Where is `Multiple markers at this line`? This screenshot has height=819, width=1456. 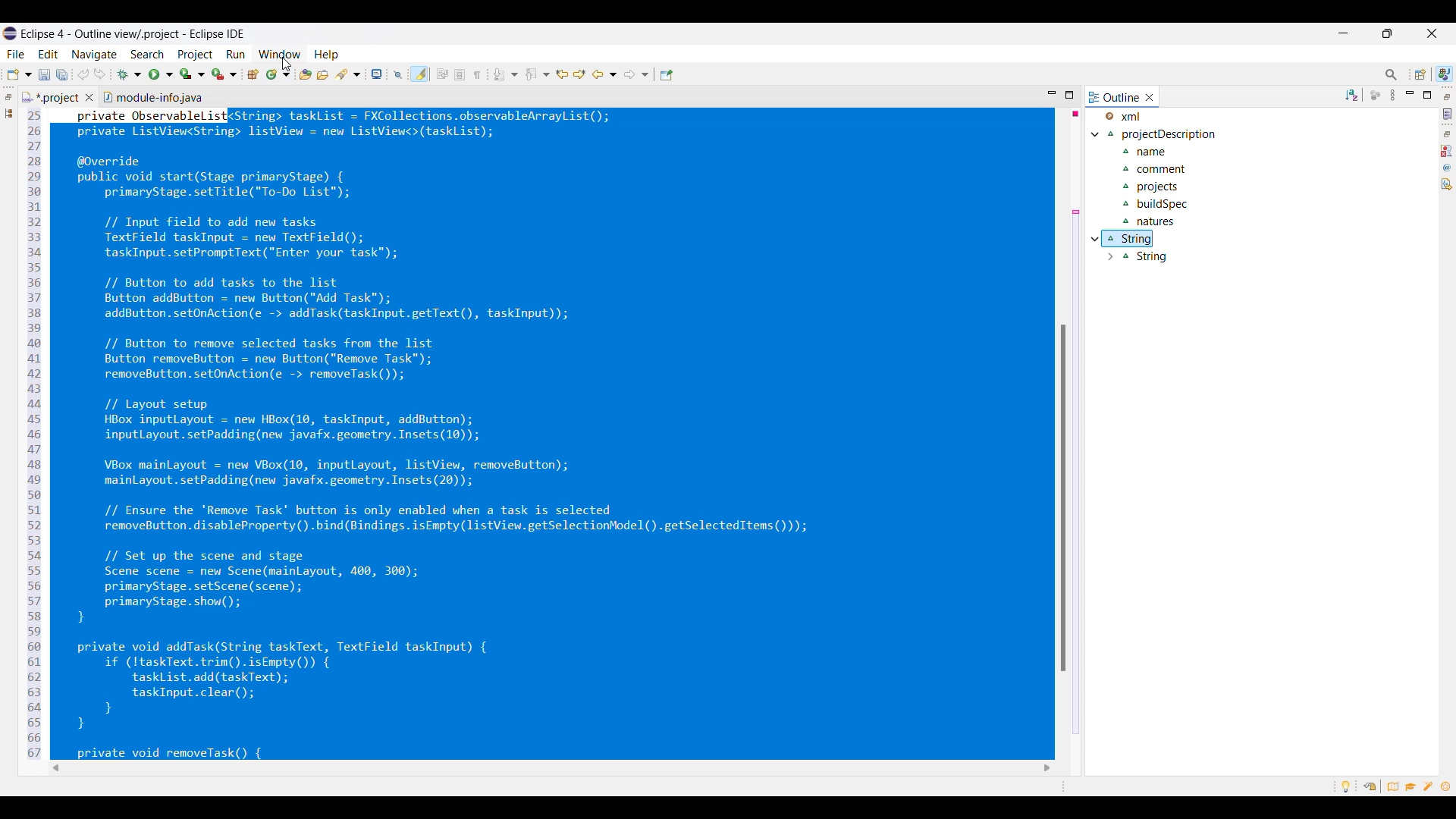 Multiple markers at this line is located at coordinates (1076, 472).